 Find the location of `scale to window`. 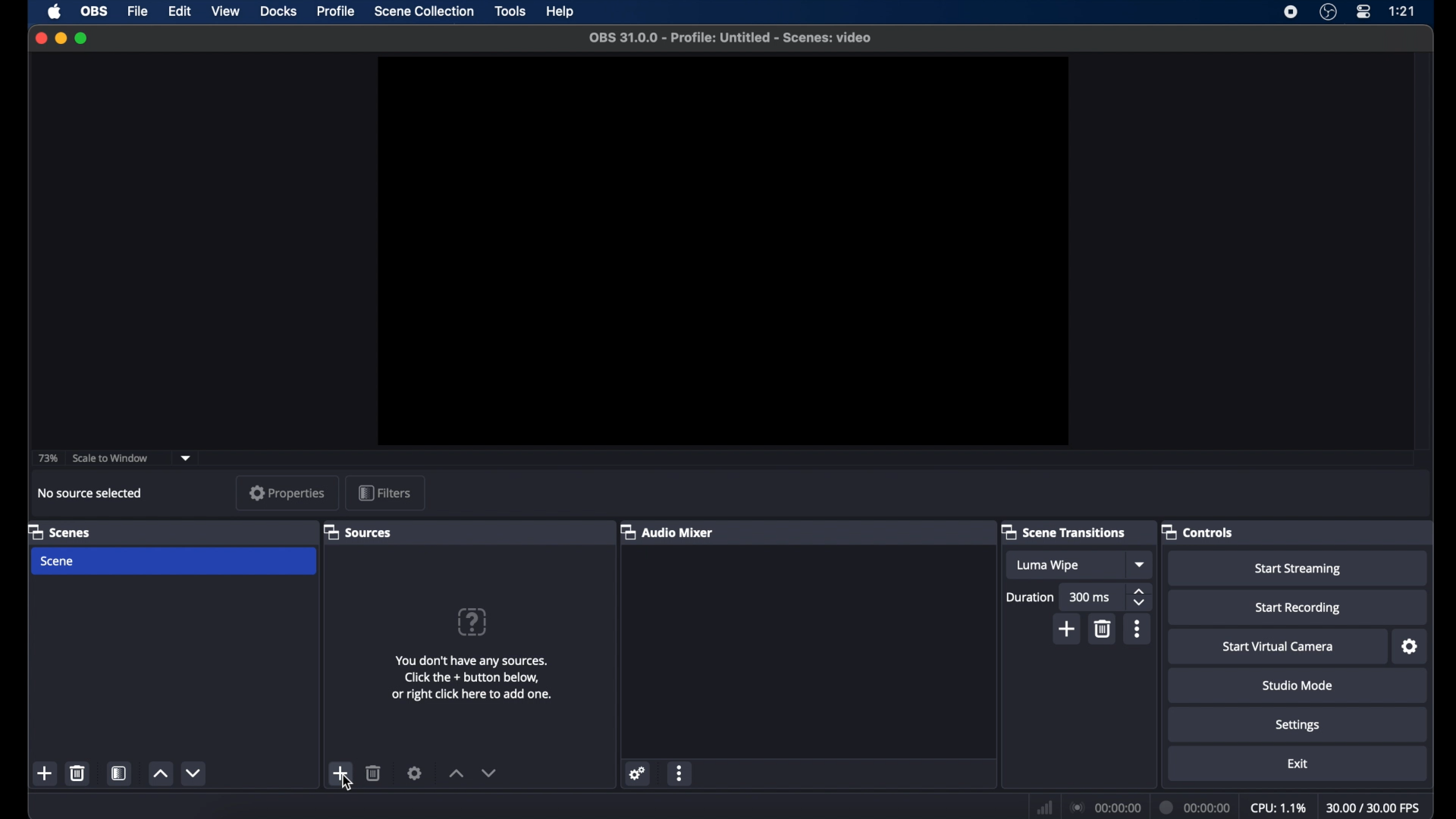

scale to window is located at coordinates (110, 458).